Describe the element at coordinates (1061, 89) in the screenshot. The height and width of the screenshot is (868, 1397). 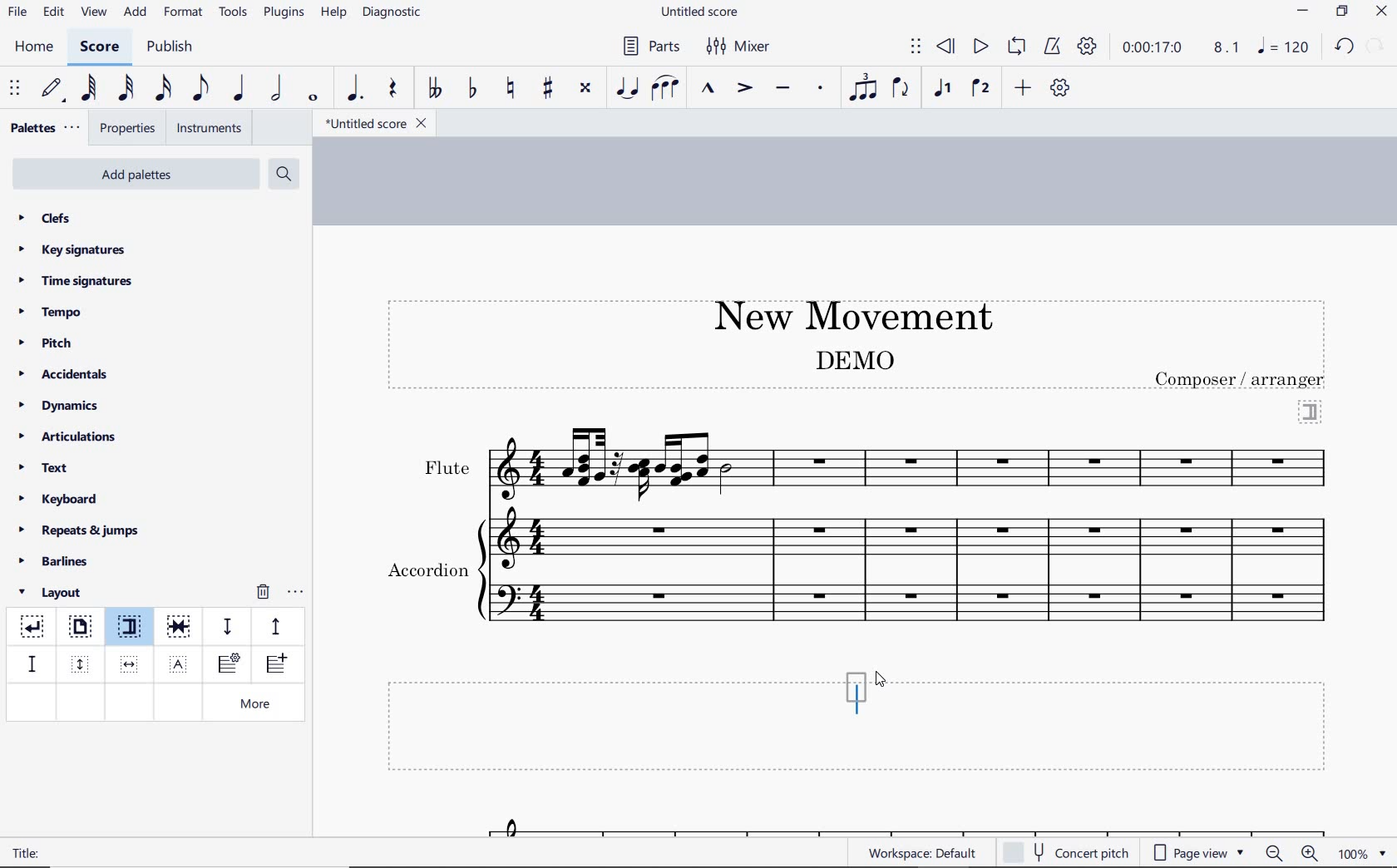
I see `customize toolbar` at that location.